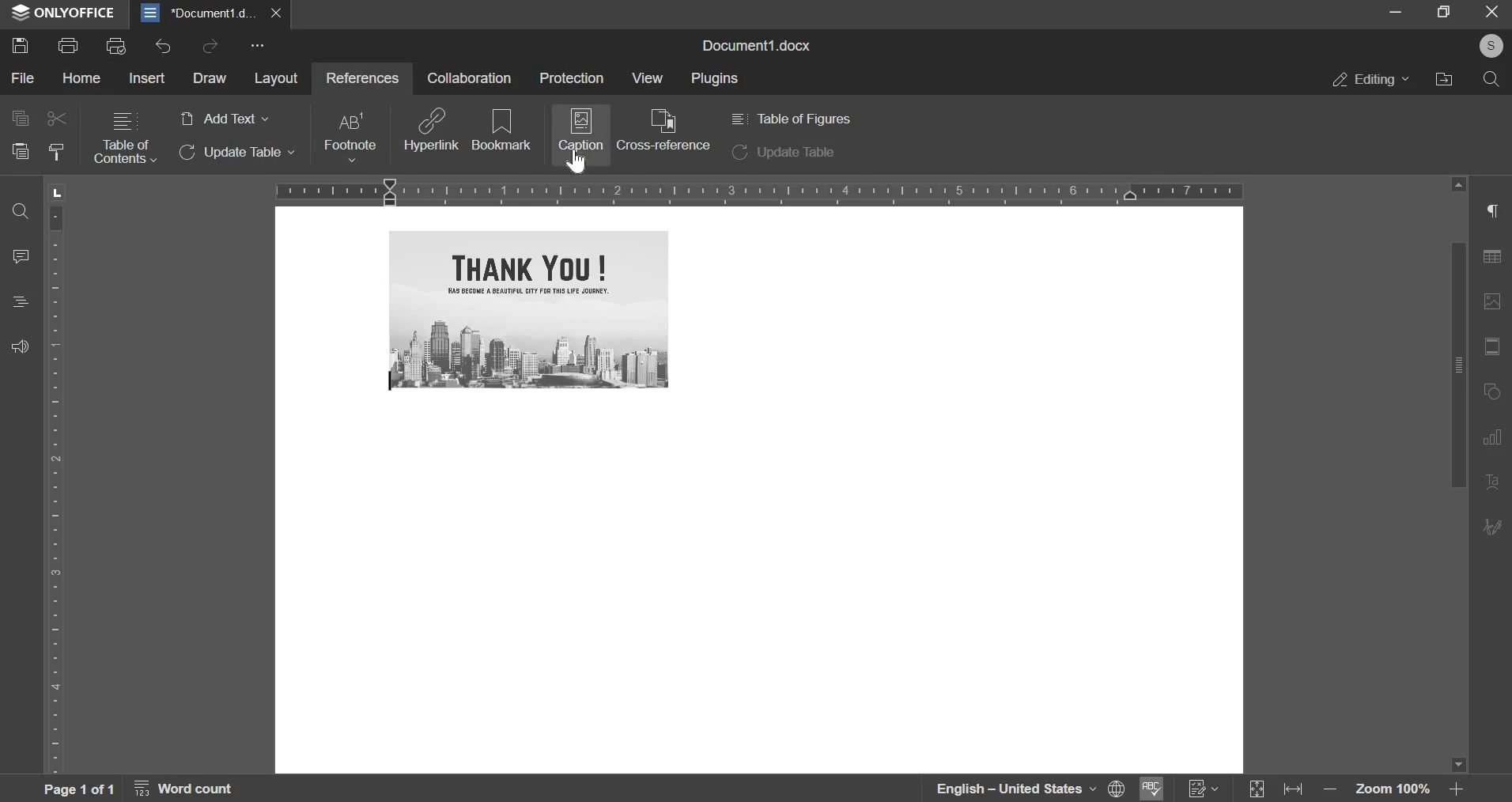 The image size is (1512, 802). Describe the element at coordinates (20, 213) in the screenshot. I see `find` at that location.